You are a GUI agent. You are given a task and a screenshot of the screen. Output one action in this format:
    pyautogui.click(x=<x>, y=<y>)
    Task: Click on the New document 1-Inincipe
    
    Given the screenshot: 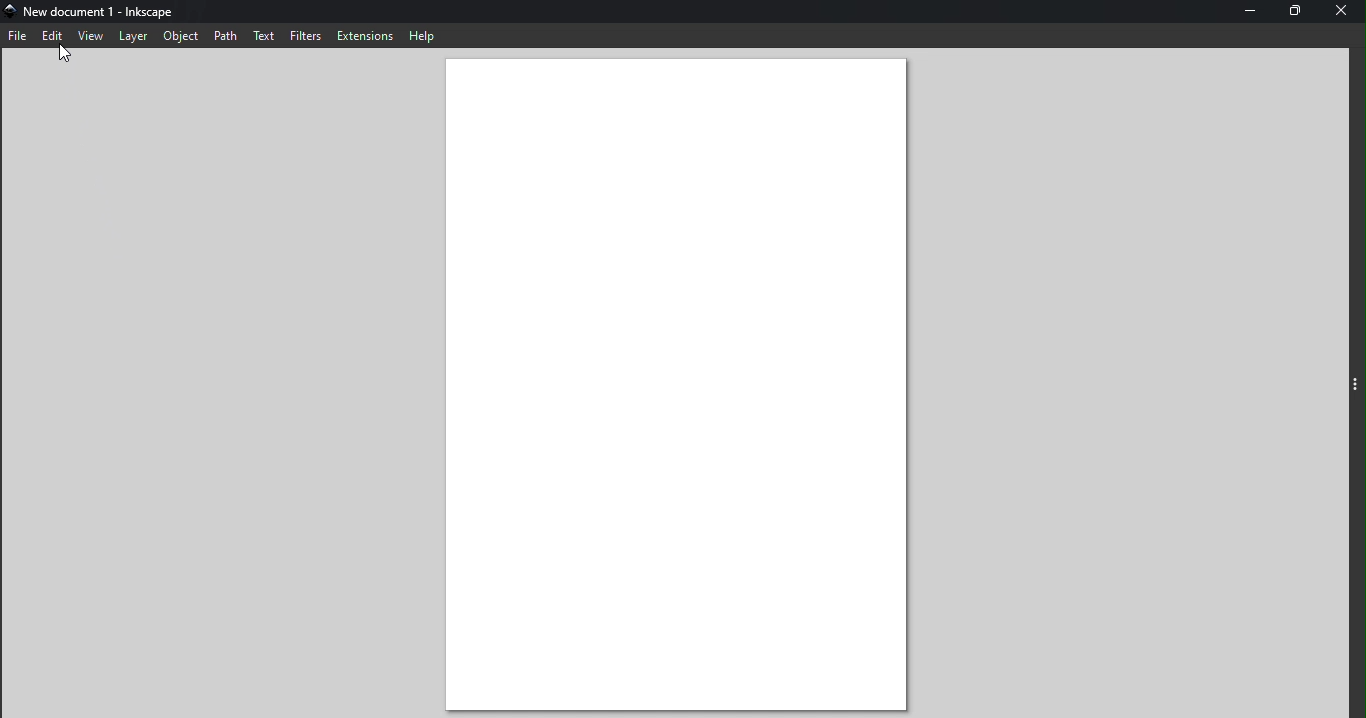 What is the action you would take?
    pyautogui.click(x=102, y=12)
    